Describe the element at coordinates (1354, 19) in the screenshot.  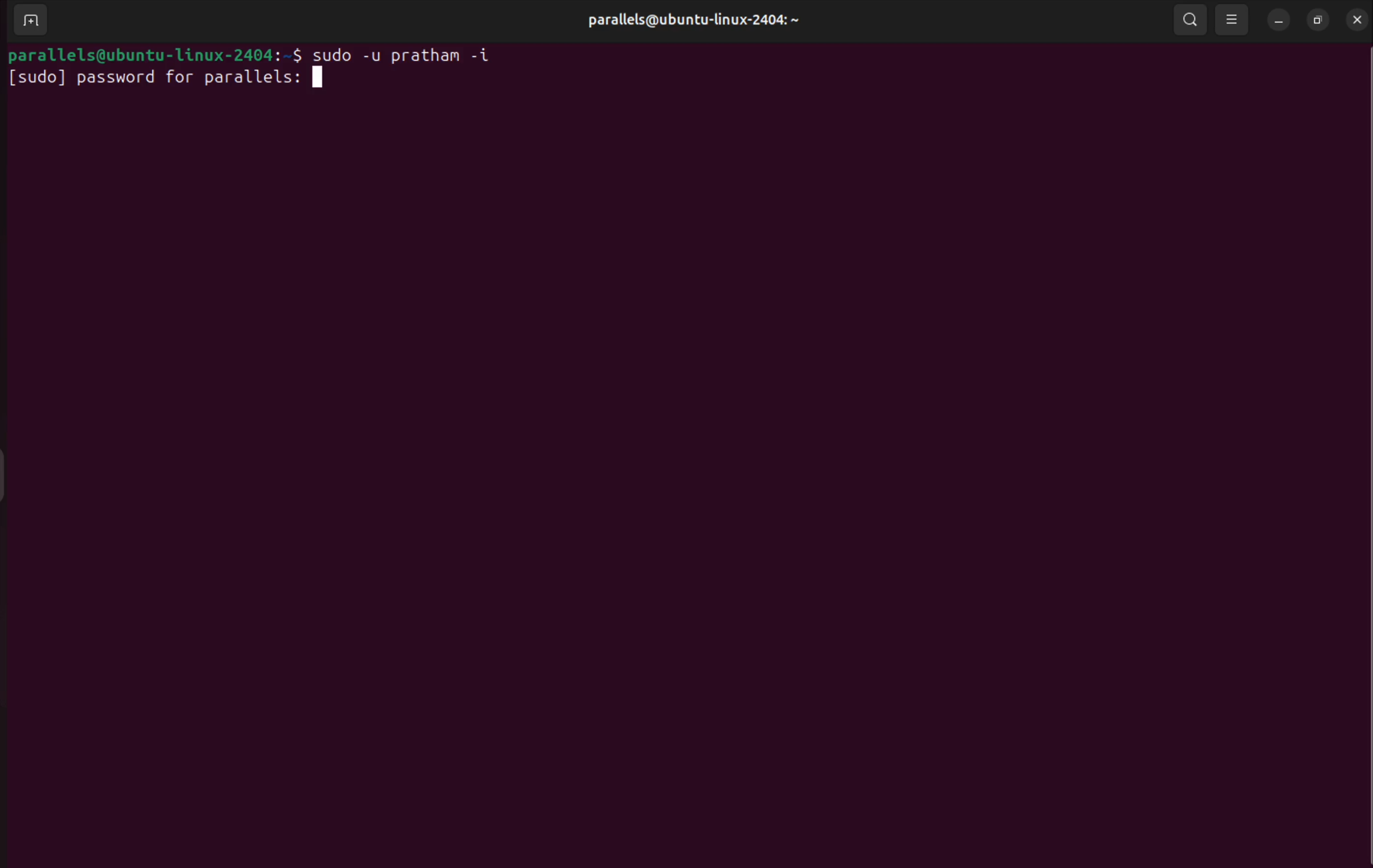
I see `close` at that location.